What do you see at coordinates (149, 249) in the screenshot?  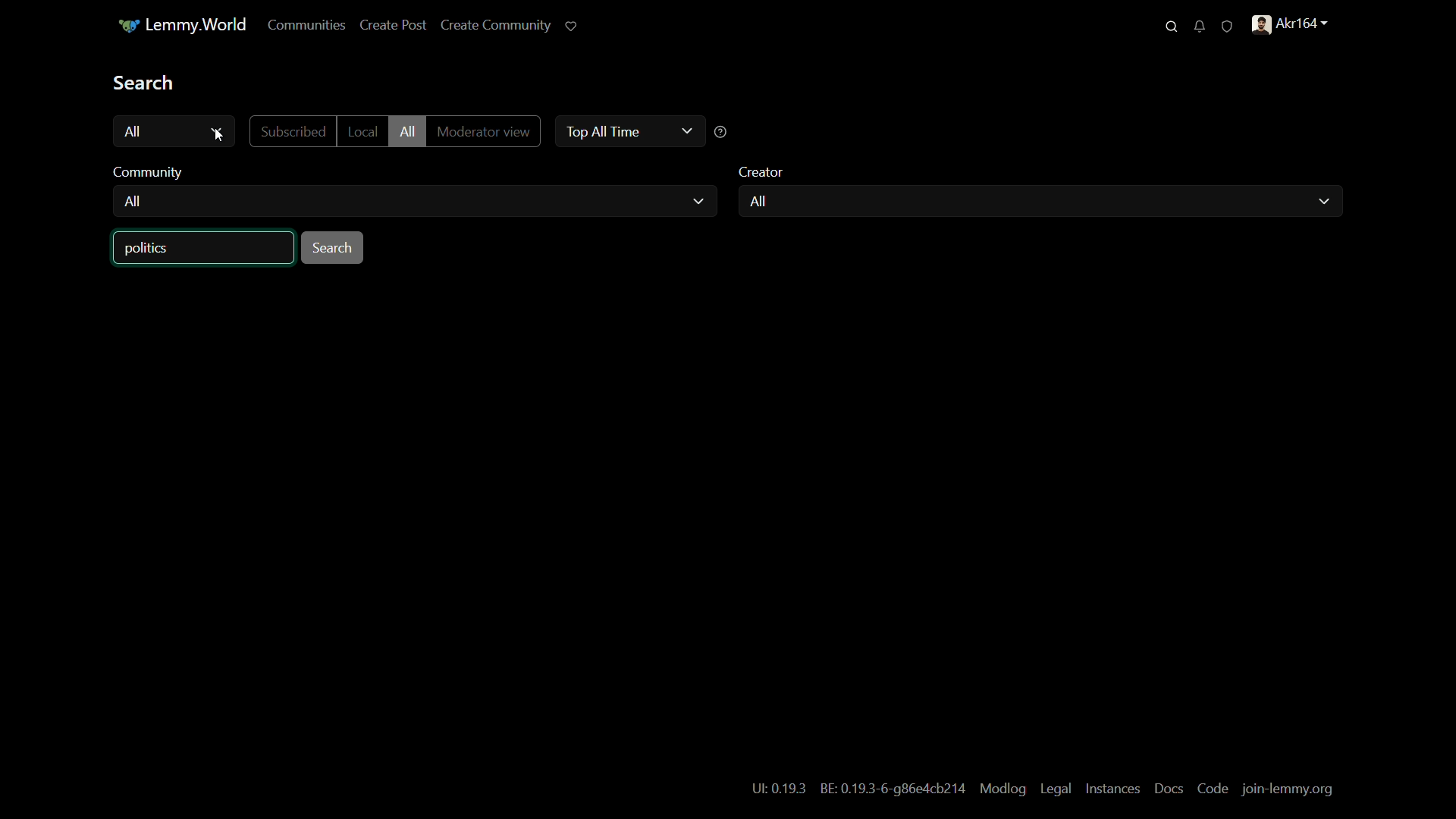 I see `politics` at bounding box center [149, 249].